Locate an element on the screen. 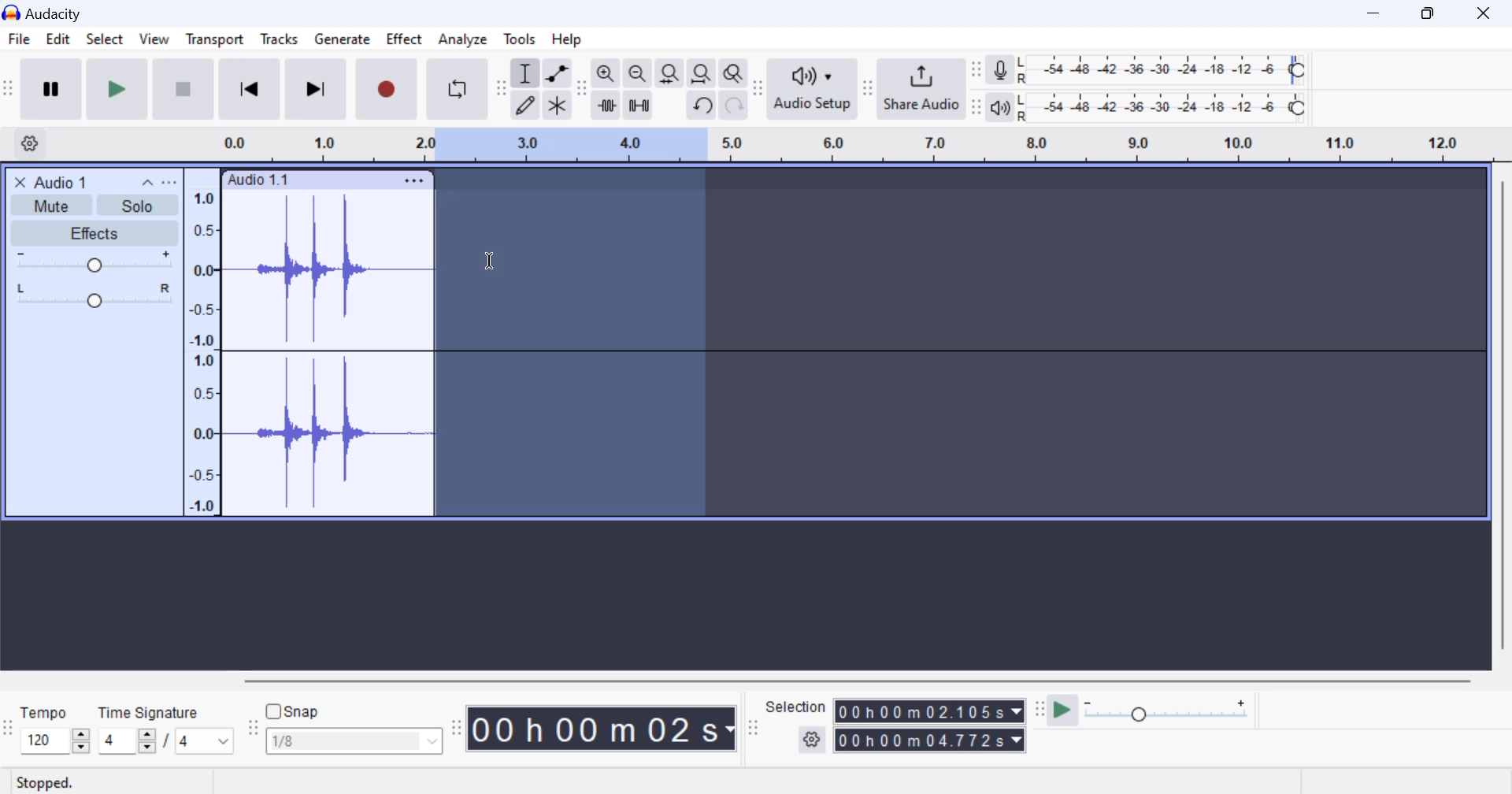 Image resolution: width=1512 pixels, height=794 pixels. silence audio selection is located at coordinates (639, 106).